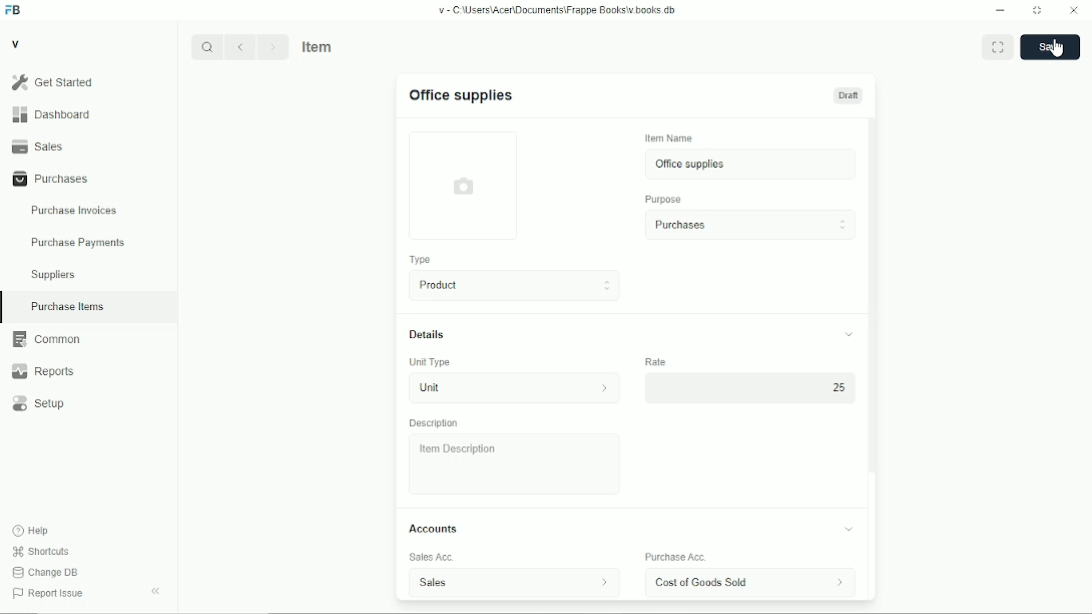 This screenshot has width=1092, height=614. I want to click on toggle expand/collapse, so click(849, 529).